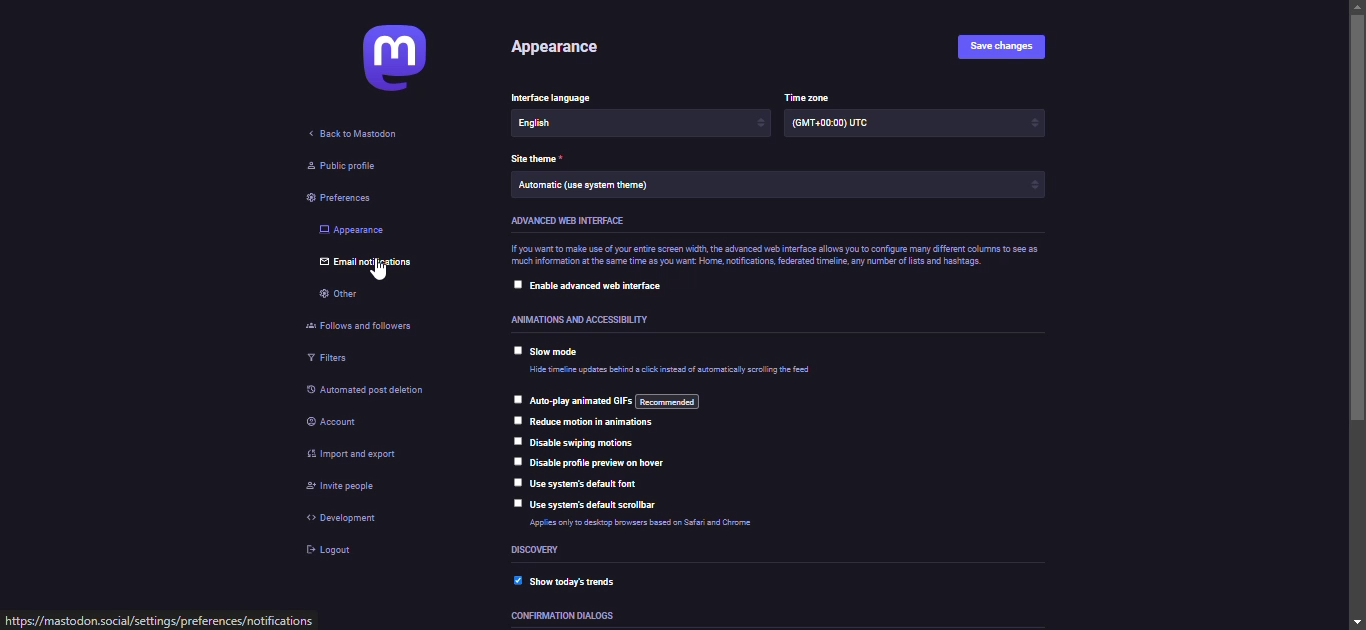 This screenshot has width=1366, height=630. What do you see at coordinates (670, 370) in the screenshot?
I see `info` at bounding box center [670, 370].